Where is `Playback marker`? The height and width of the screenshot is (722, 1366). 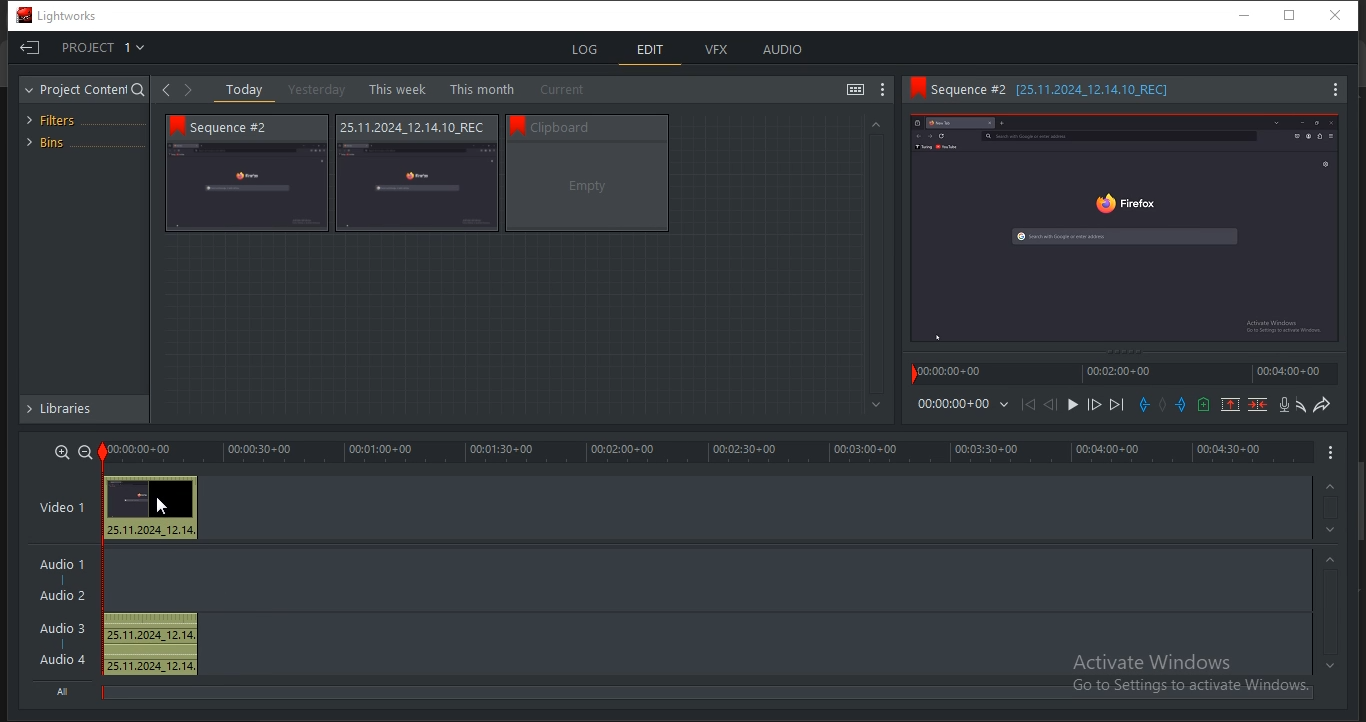 Playback marker is located at coordinates (907, 375).